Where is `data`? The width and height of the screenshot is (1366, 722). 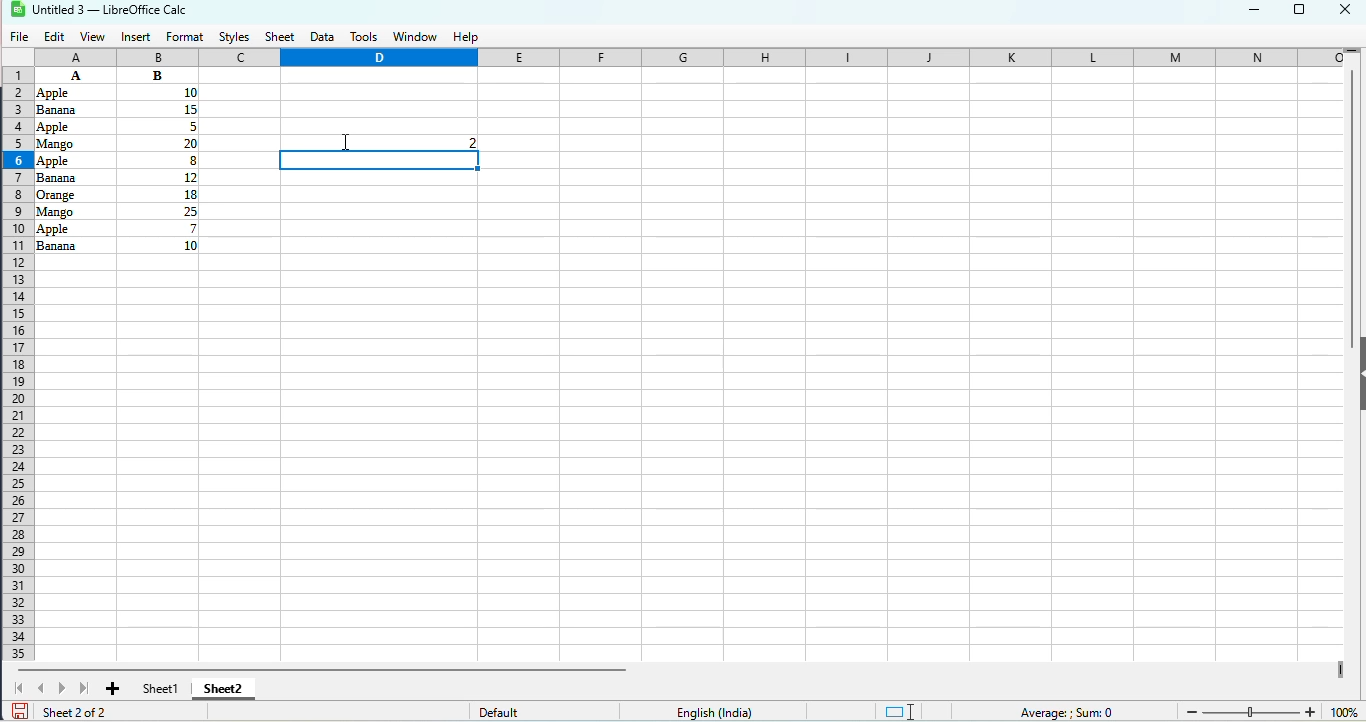
data is located at coordinates (117, 159).